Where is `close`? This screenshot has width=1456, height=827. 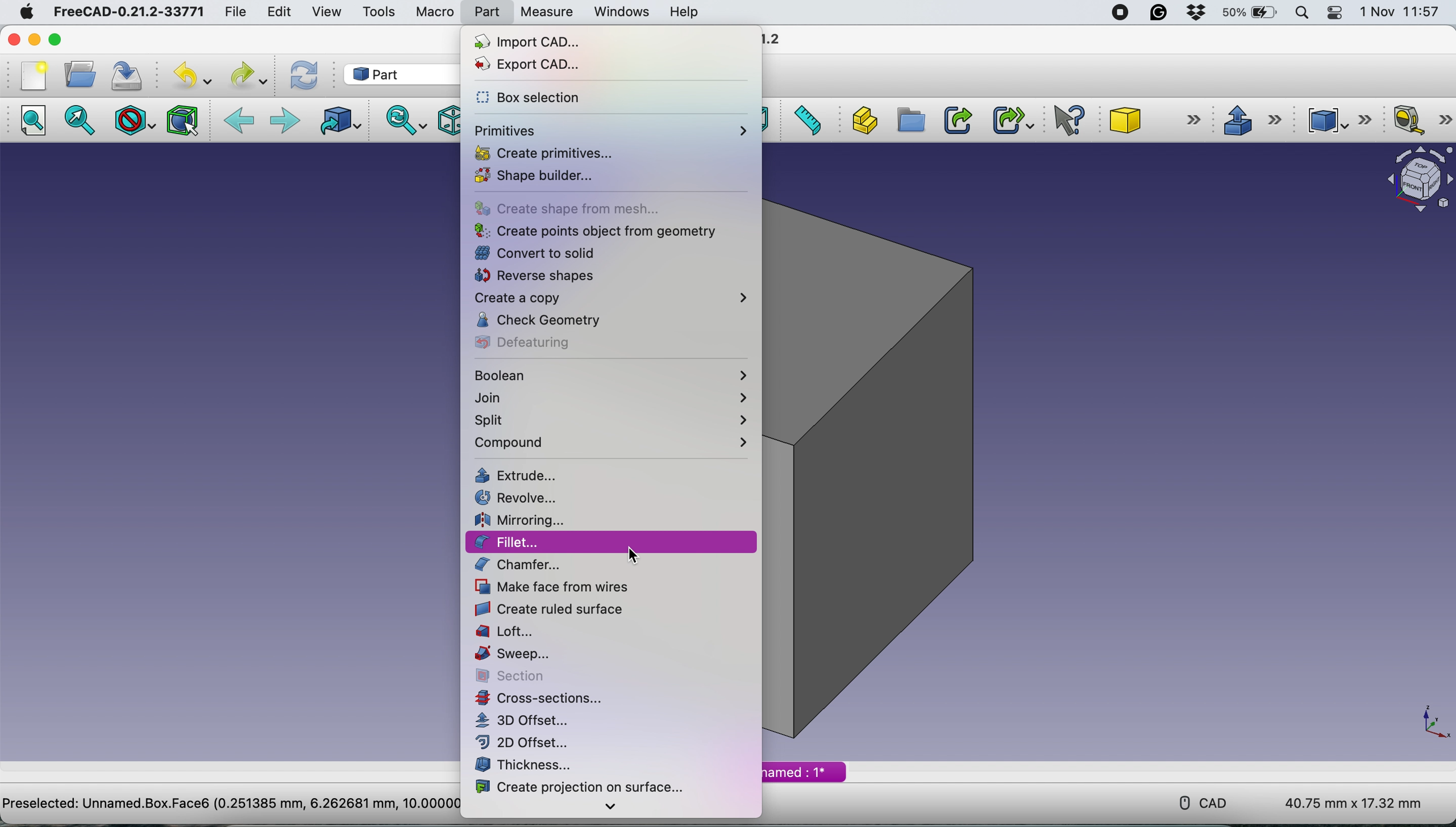 close is located at coordinates (14, 40).